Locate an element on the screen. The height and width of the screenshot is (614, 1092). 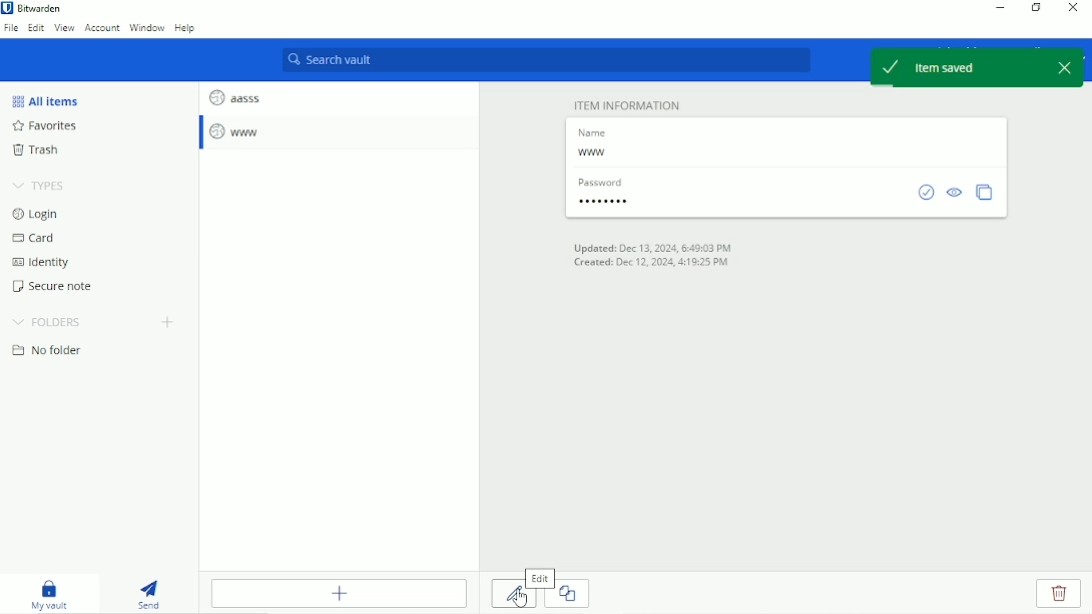
No folder is located at coordinates (47, 351).